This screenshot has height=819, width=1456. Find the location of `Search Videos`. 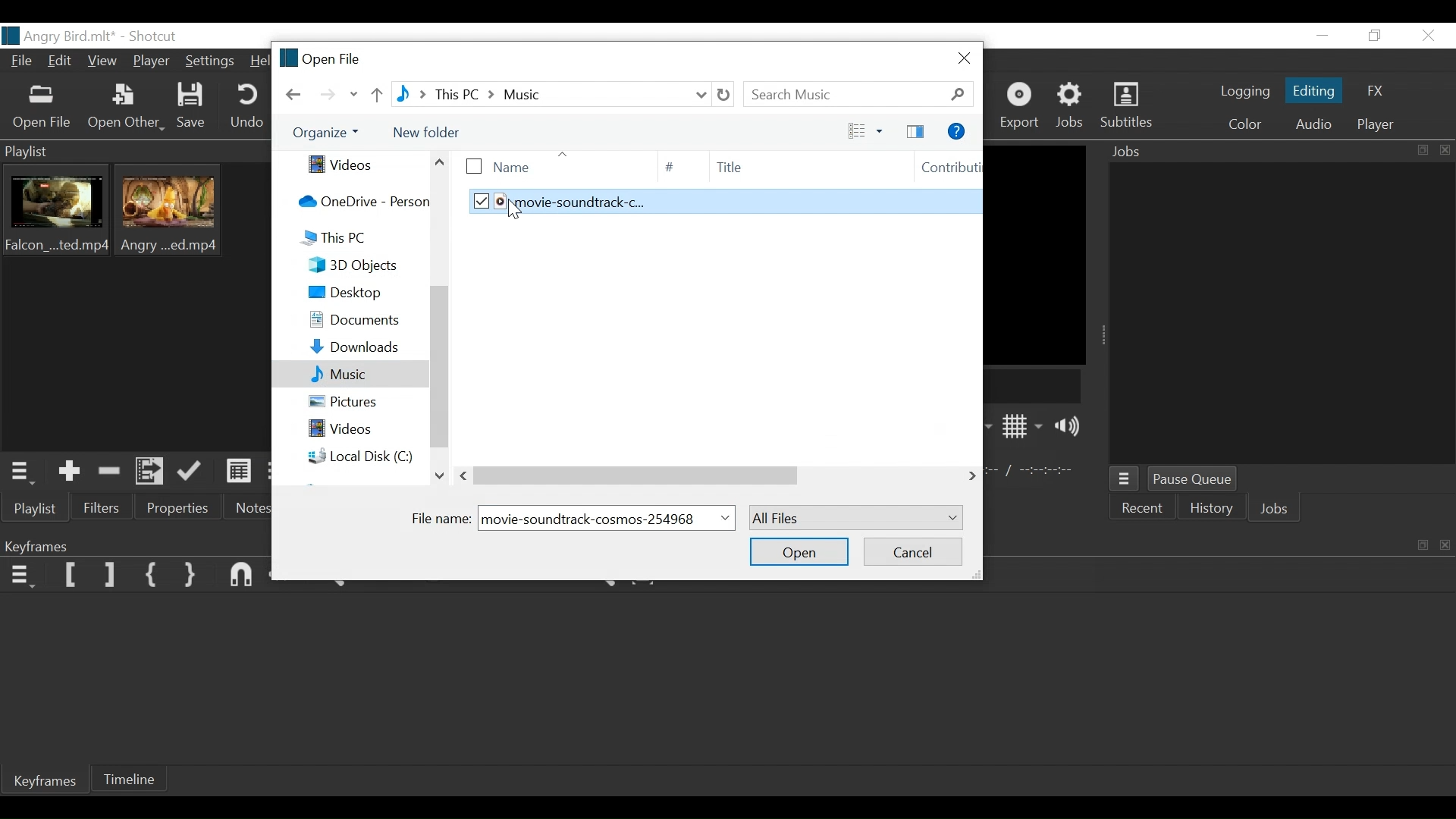

Search Videos is located at coordinates (859, 94).